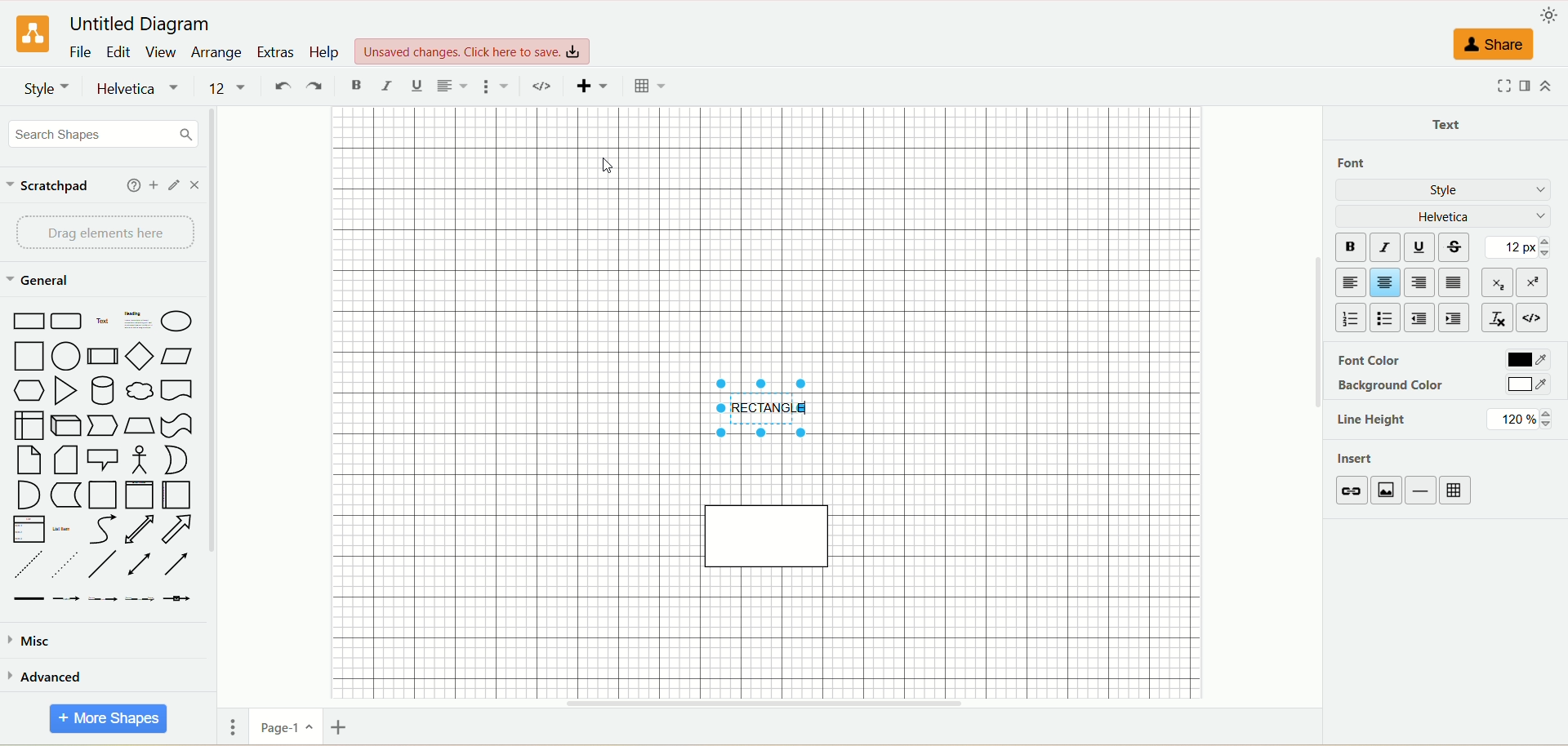 The width and height of the screenshot is (1568, 746). What do you see at coordinates (28, 424) in the screenshot?
I see `internal storage` at bounding box center [28, 424].